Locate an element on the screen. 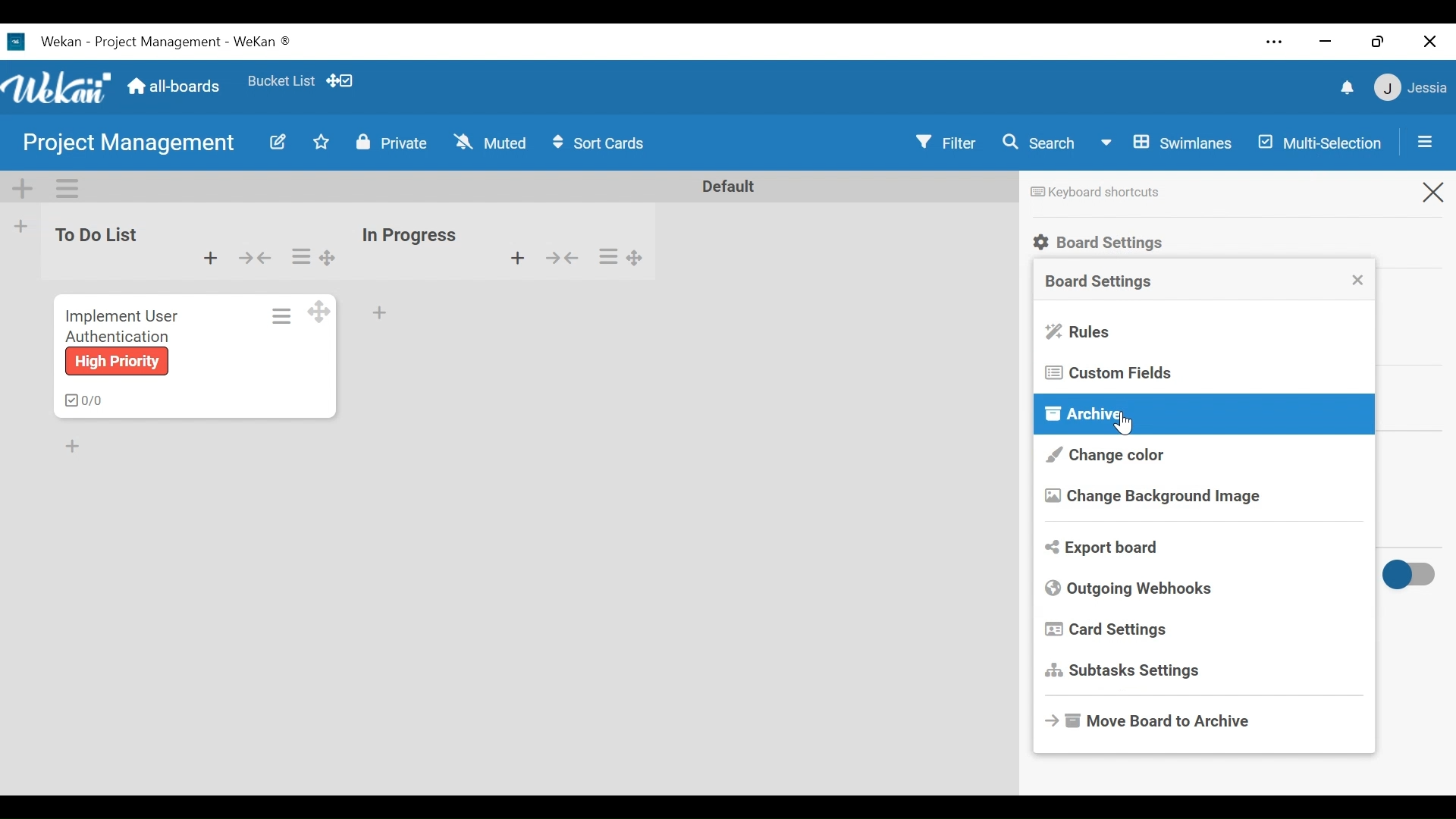 This screenshot has height=819, width=1456. Add Card to top of the list is located at coordinates (517, 258).